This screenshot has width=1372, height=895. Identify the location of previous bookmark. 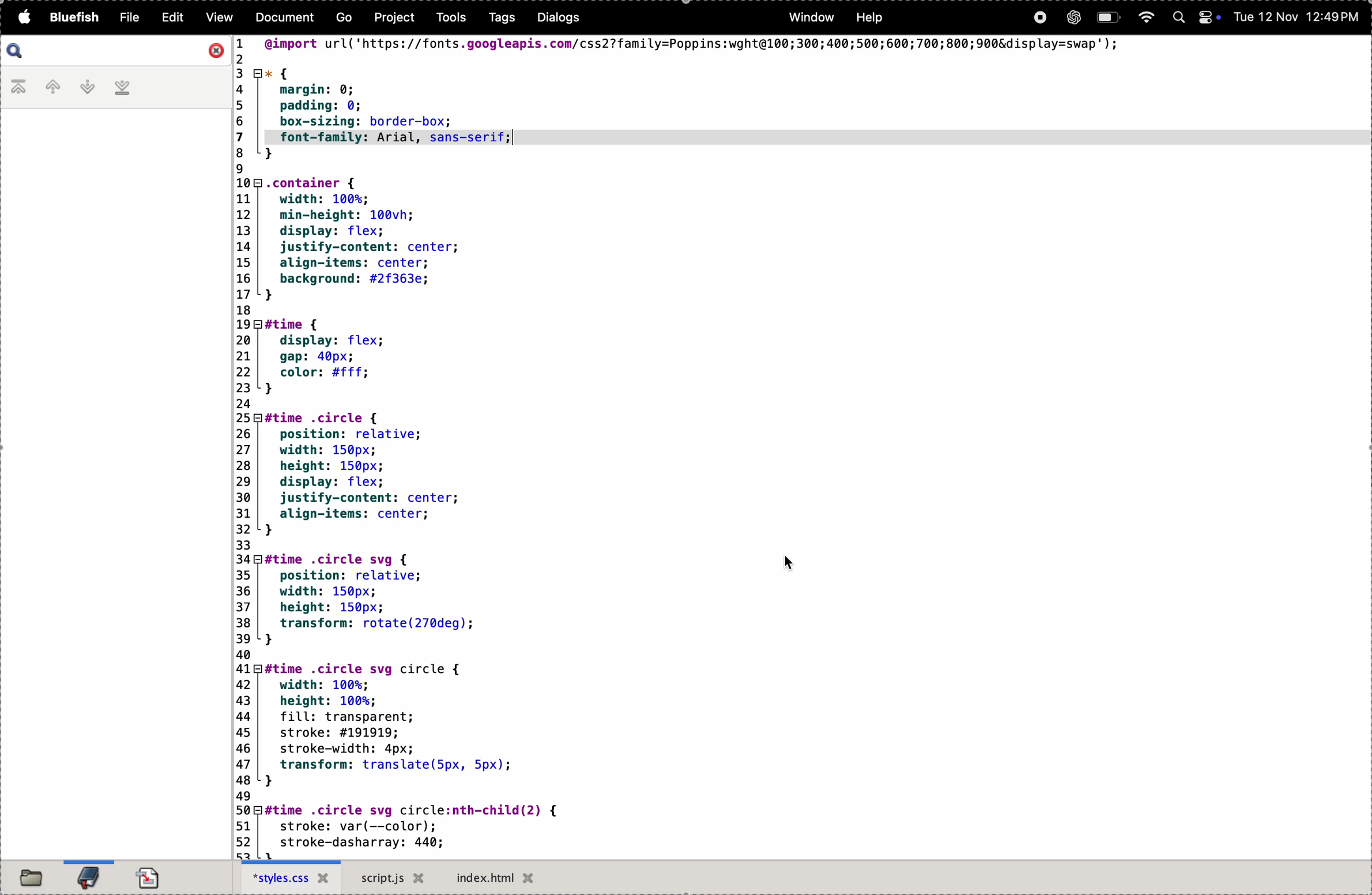
(54, 87).